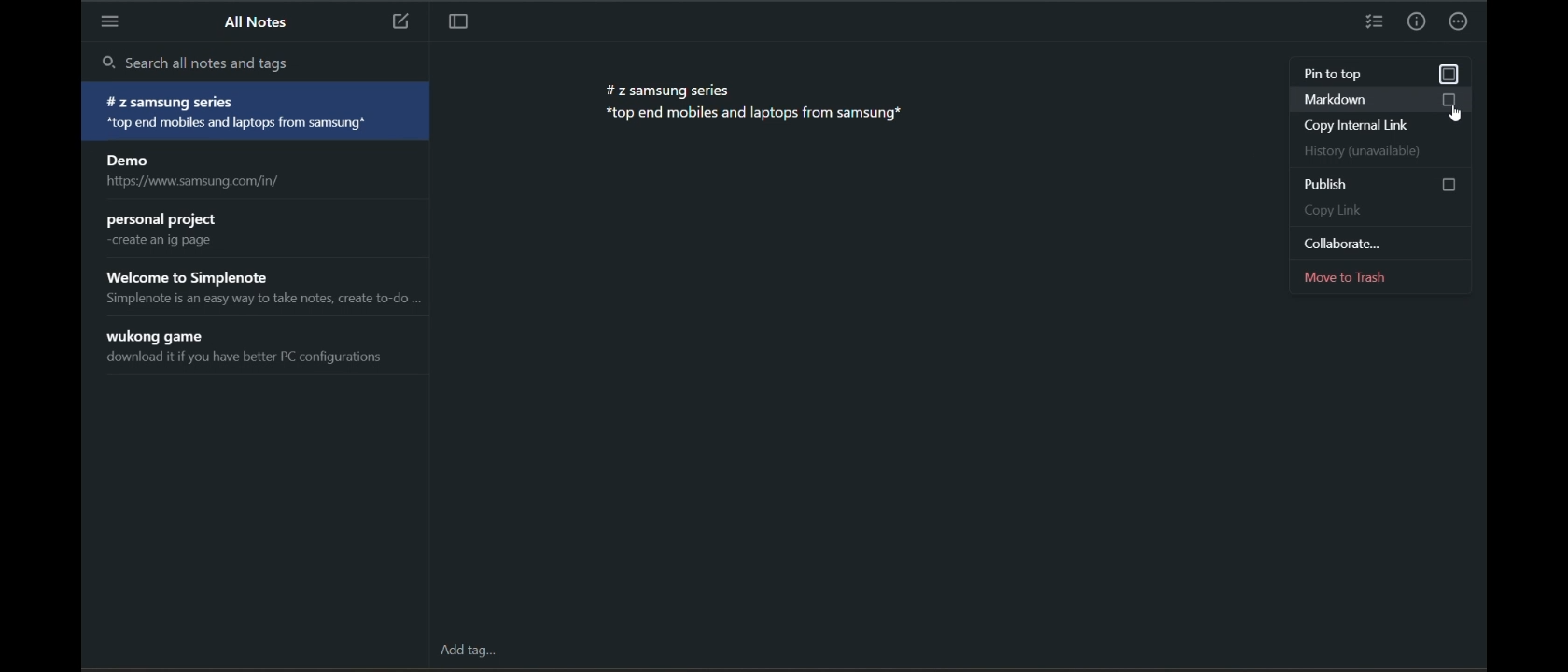 The width and height of the screenshot is (1568, 672). I want to click on menu, so click(113, 21).